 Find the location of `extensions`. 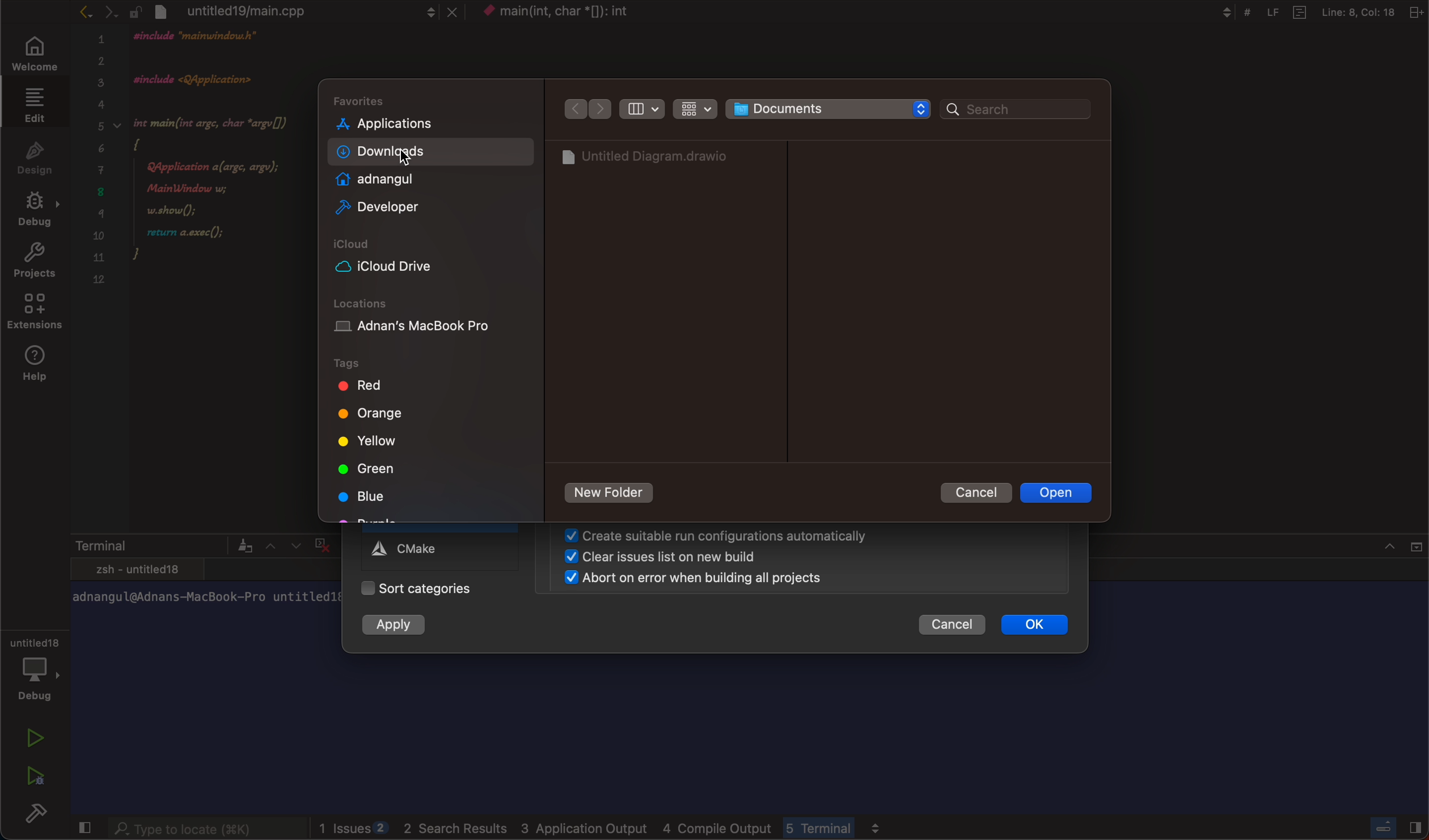

extensions is located at coordinates (33, 310).